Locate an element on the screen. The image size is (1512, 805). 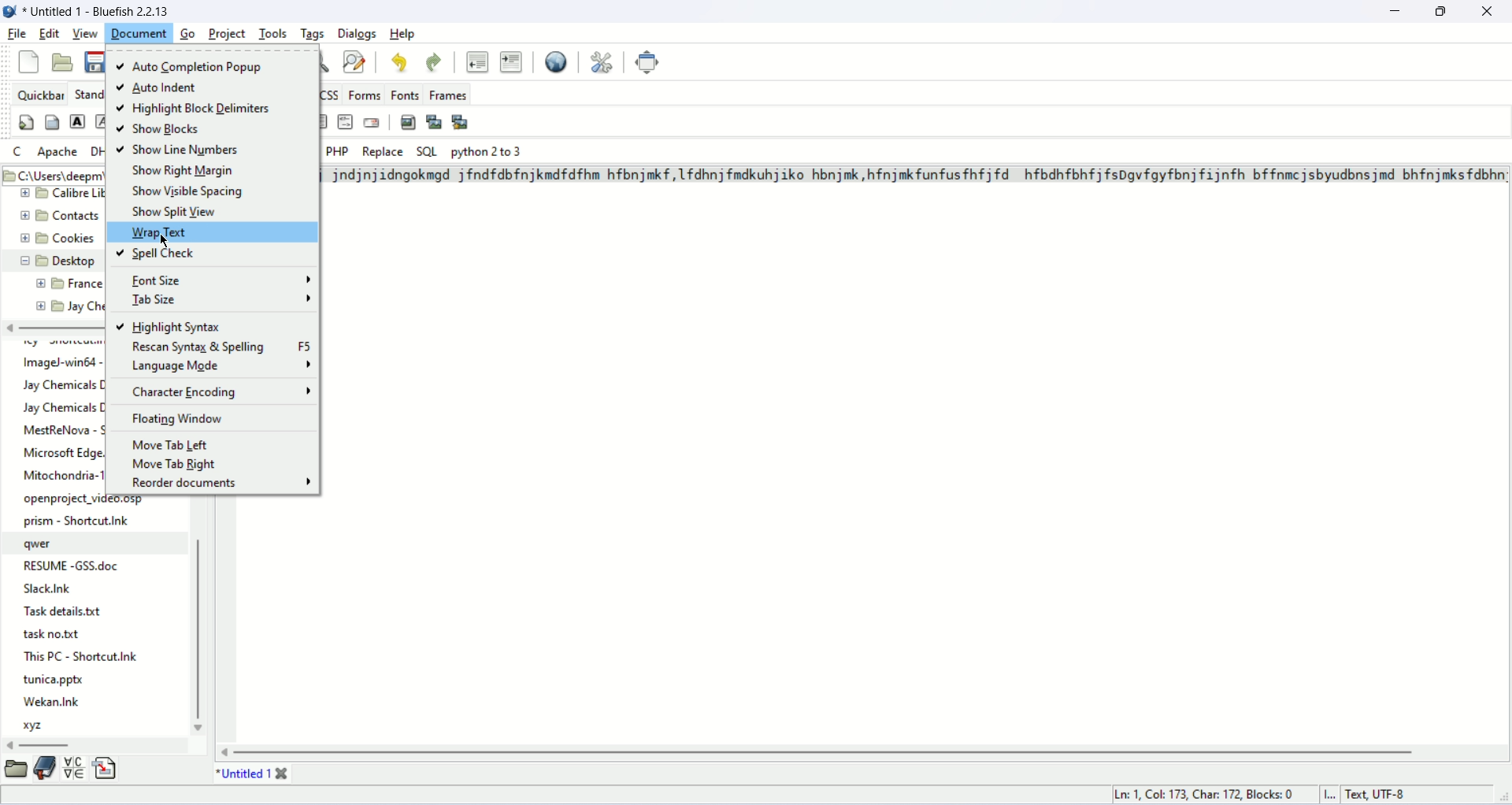
character encoding is located at coordinates (218, 394).